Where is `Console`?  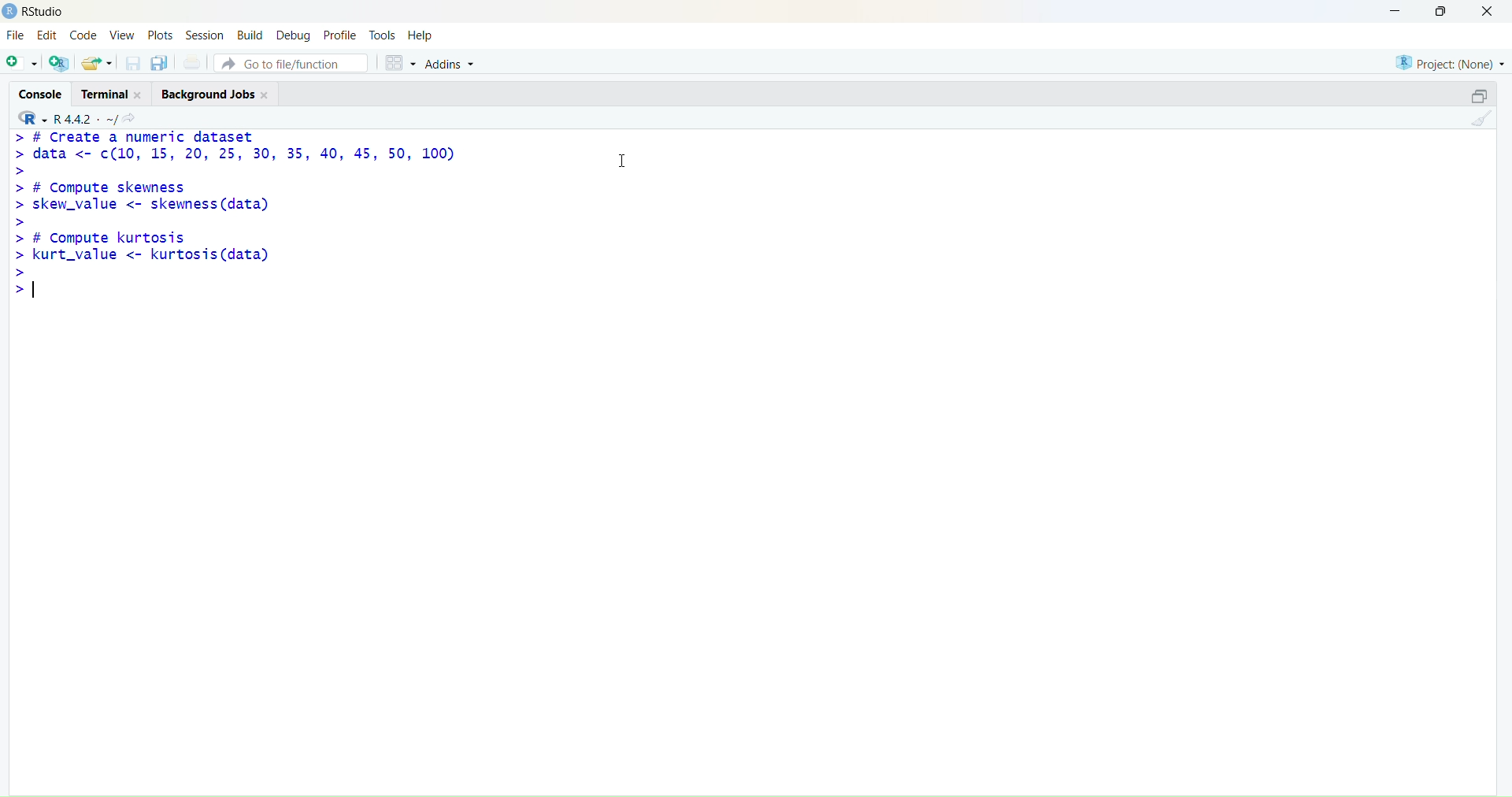
Console is located at coordinates (40, 94).